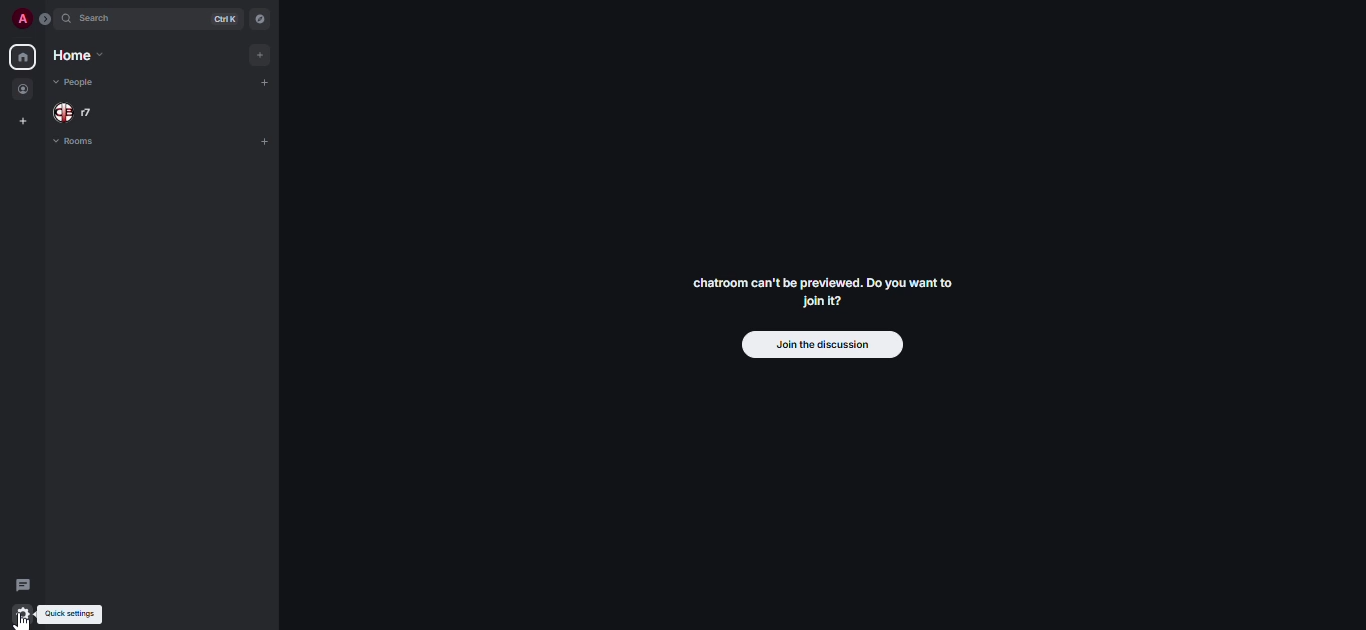  I want to click on navigator, so click(260, 19).